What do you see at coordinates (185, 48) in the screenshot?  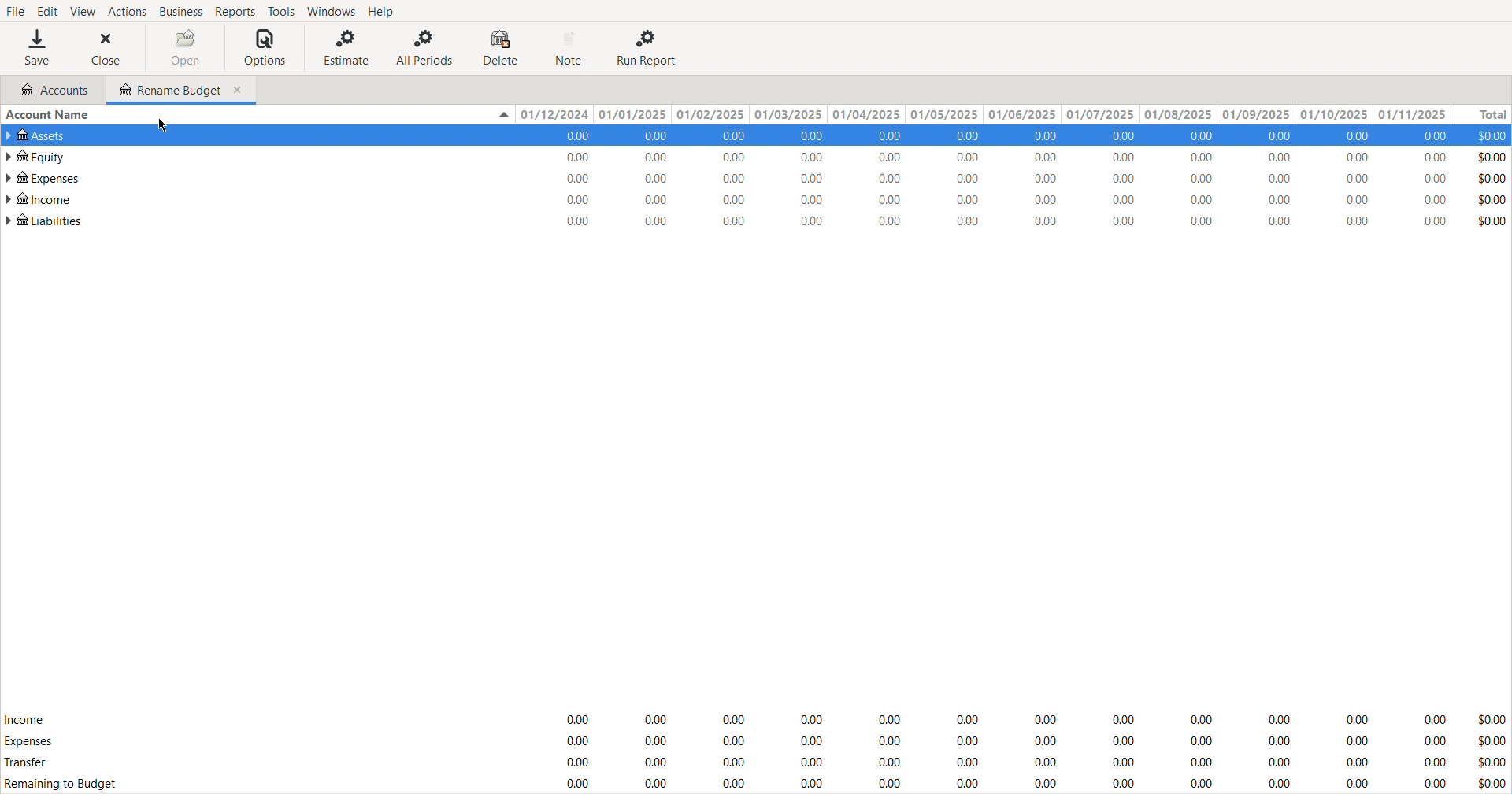 I see `Open` at bounding box center [185, 48].